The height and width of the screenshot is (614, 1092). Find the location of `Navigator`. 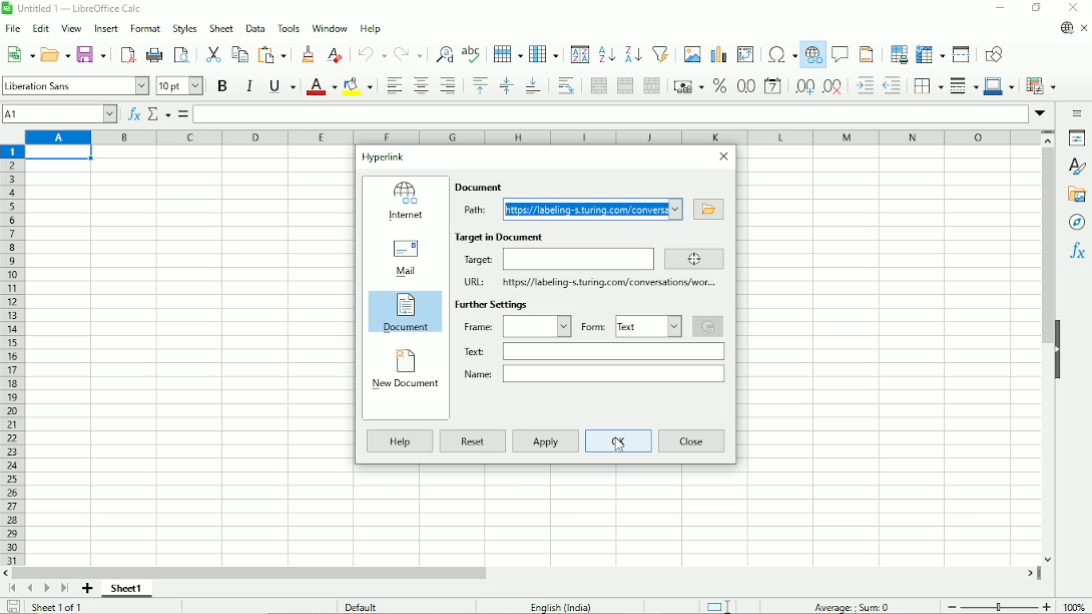

Navigator is located at coordinates (1077, 224).